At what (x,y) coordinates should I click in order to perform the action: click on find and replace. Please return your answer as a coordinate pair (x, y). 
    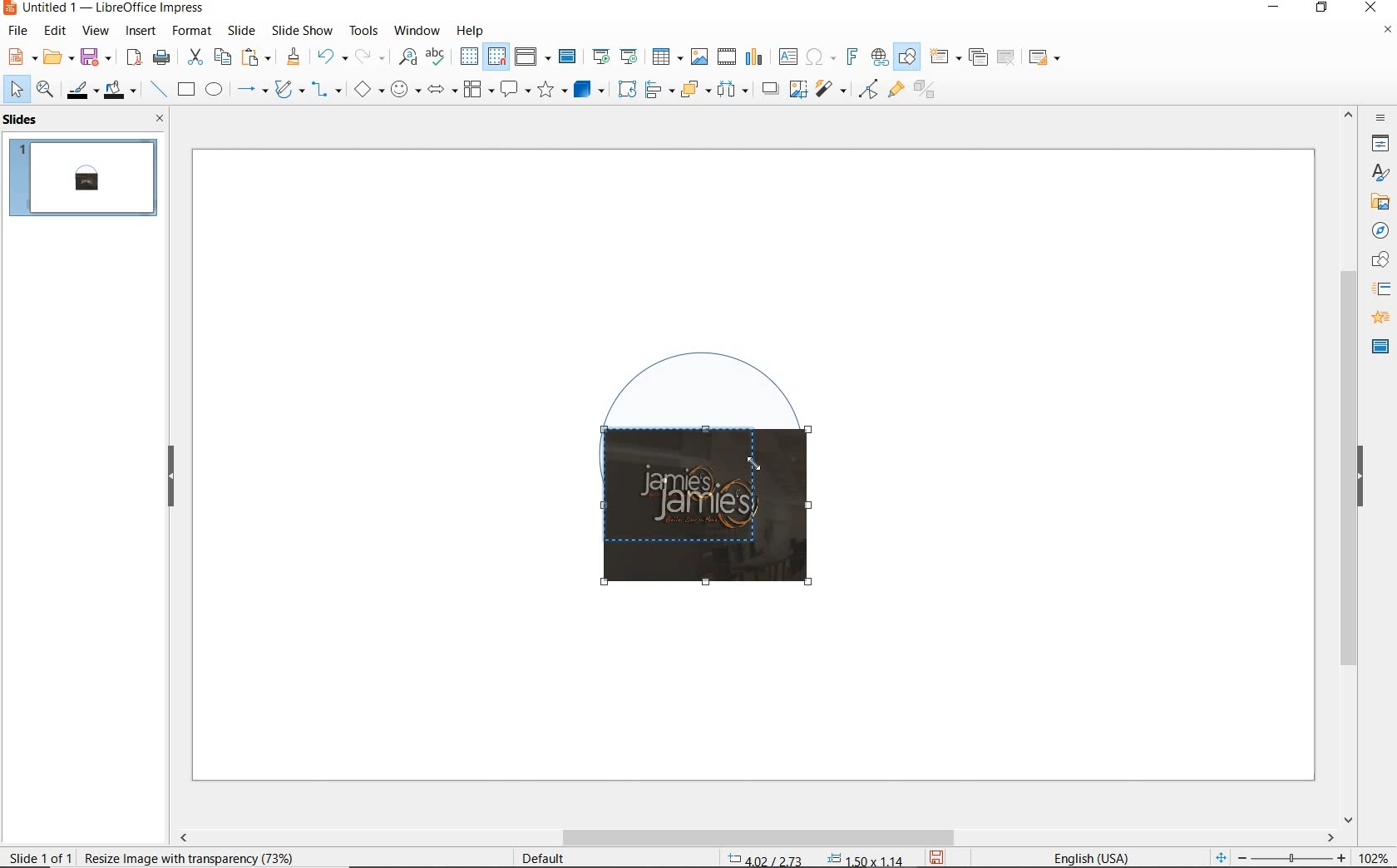
    Looking at the image, I should click on (407, 57).